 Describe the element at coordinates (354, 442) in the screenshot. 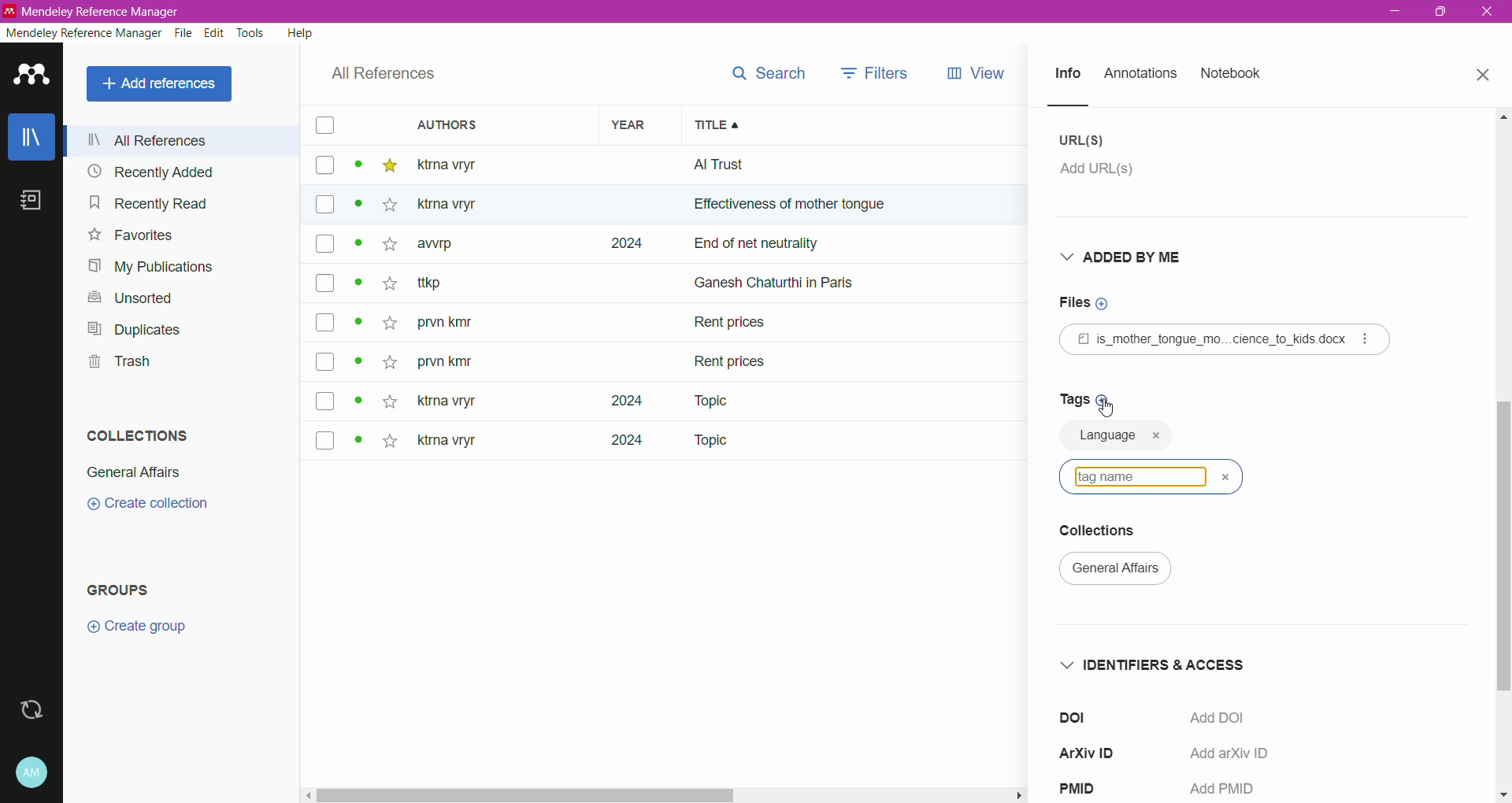

I see `dot ` at that location.